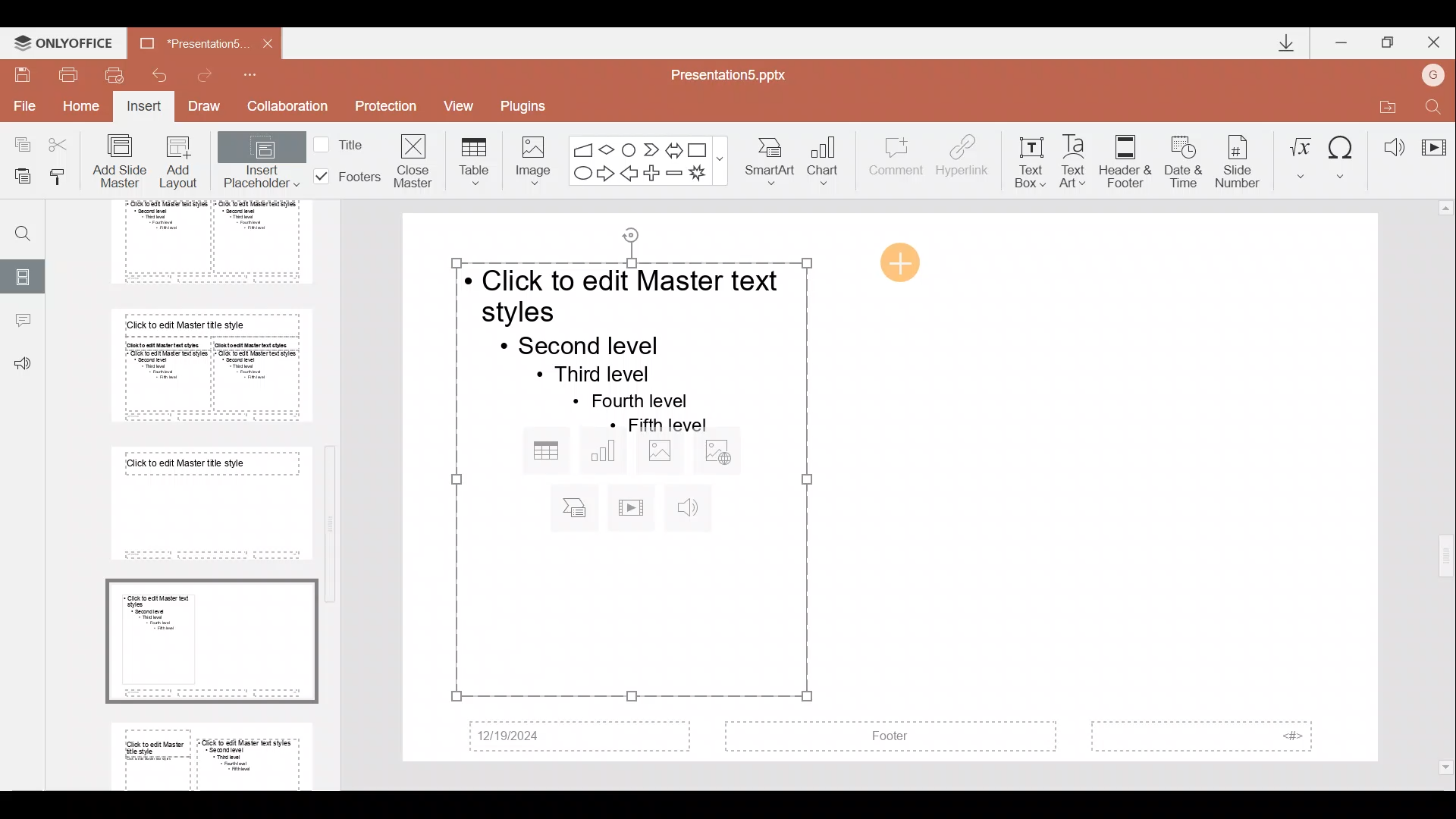 The image size is (1456, 819). I want to click on Video, so click(1433, 140).